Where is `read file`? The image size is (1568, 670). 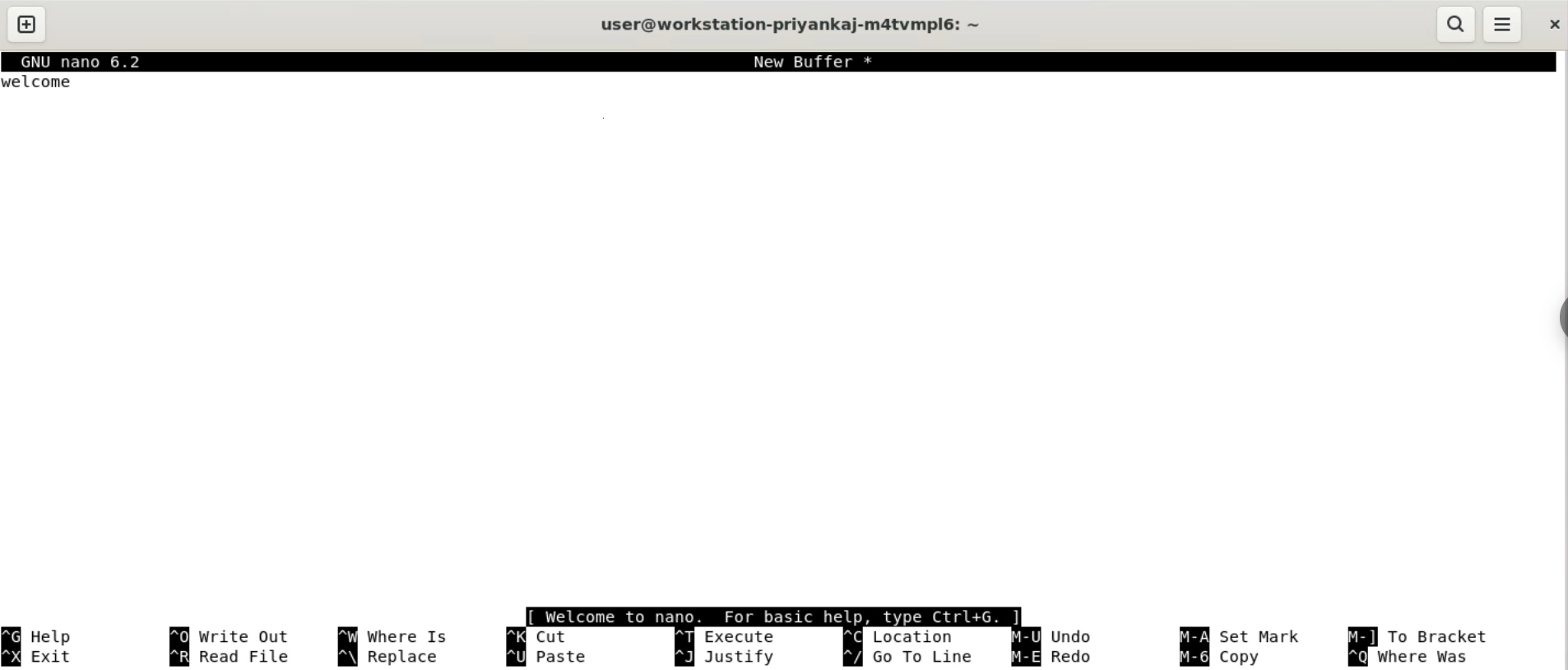 read file is located at coordinates (233, 658).